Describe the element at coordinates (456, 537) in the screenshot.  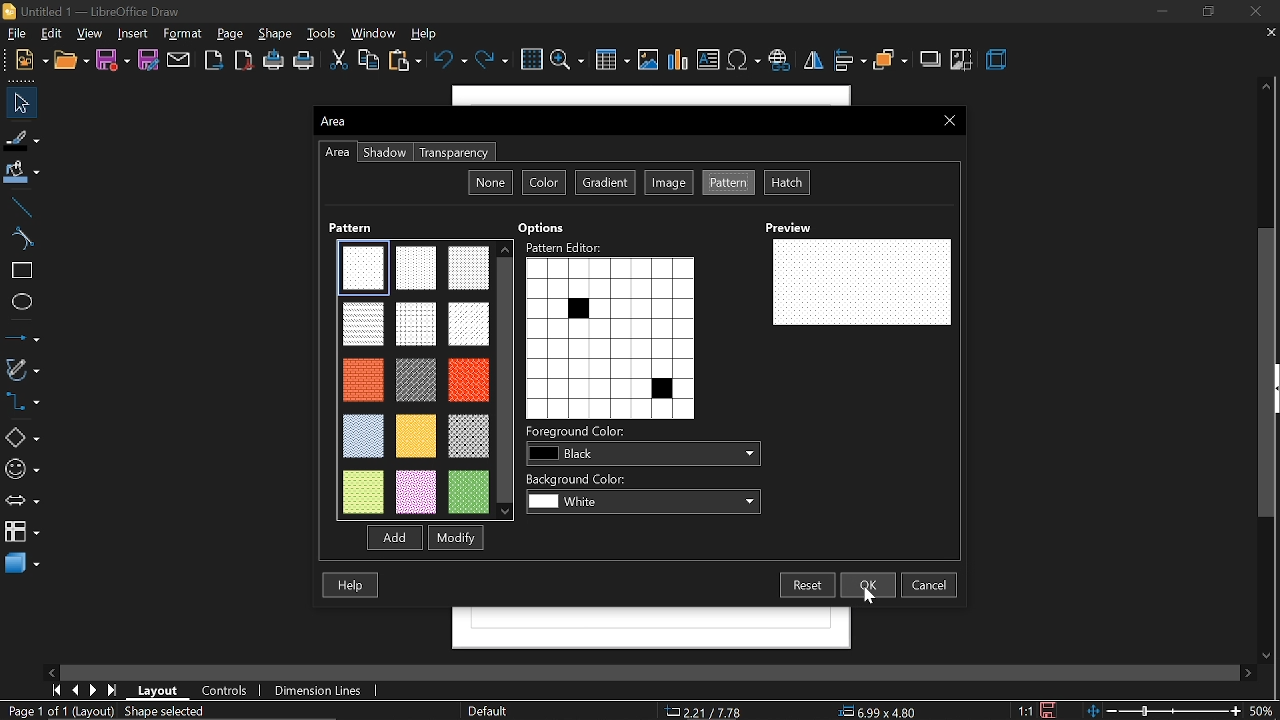
I see `modify` at that location.